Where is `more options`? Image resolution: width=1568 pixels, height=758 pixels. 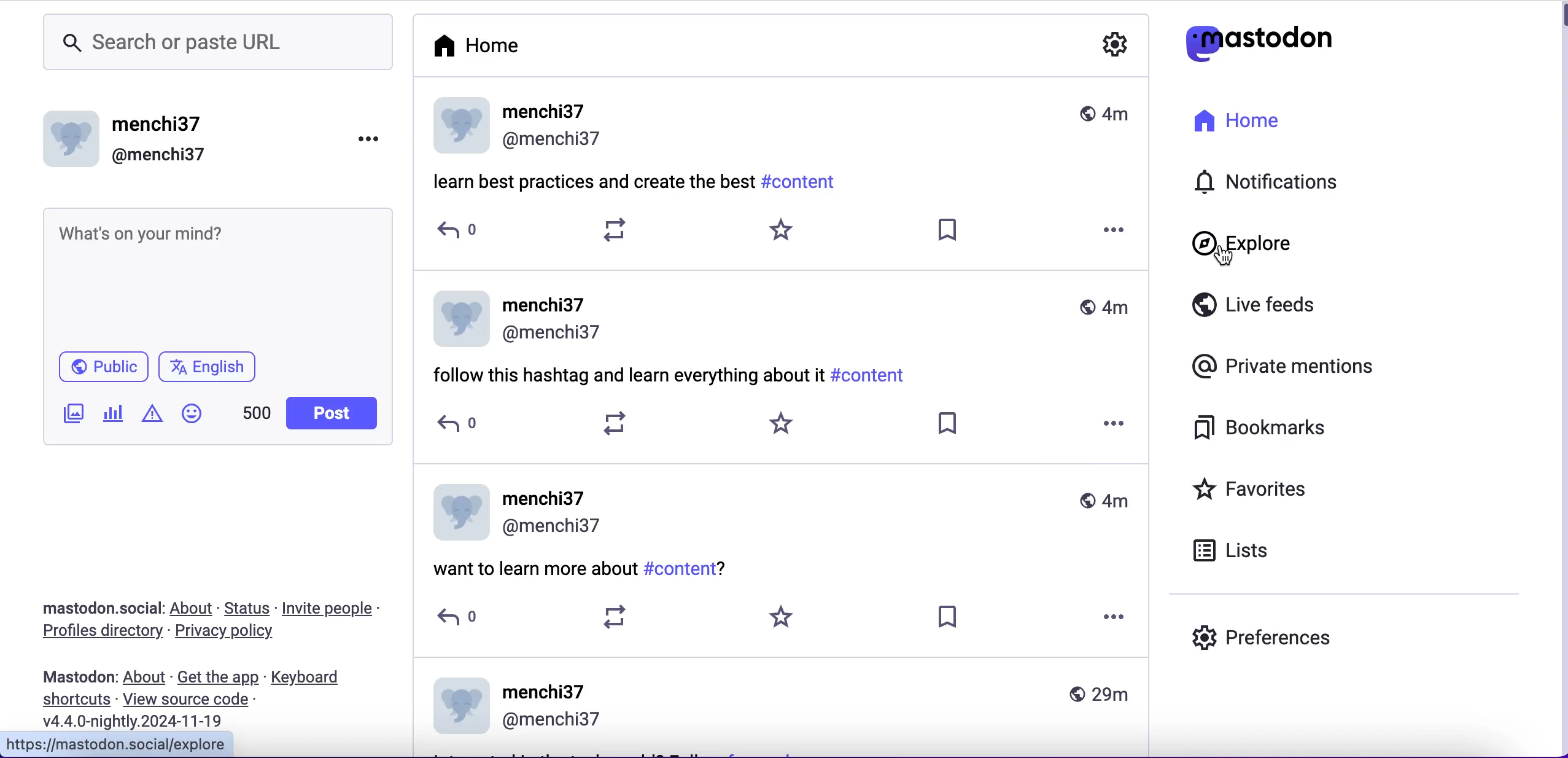 more options is located at coordinates (1116, 229).